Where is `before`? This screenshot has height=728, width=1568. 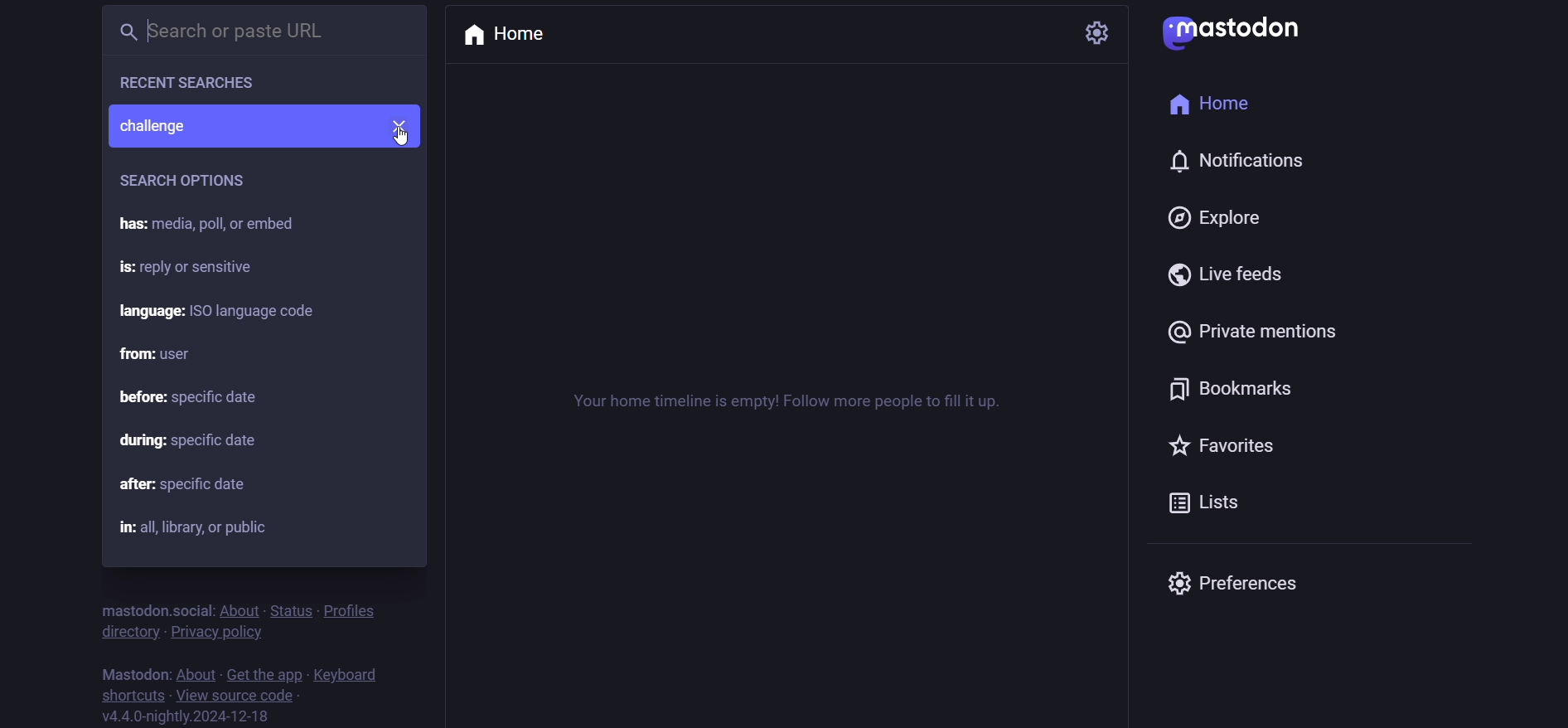
before is located at coordinates (276, 397).